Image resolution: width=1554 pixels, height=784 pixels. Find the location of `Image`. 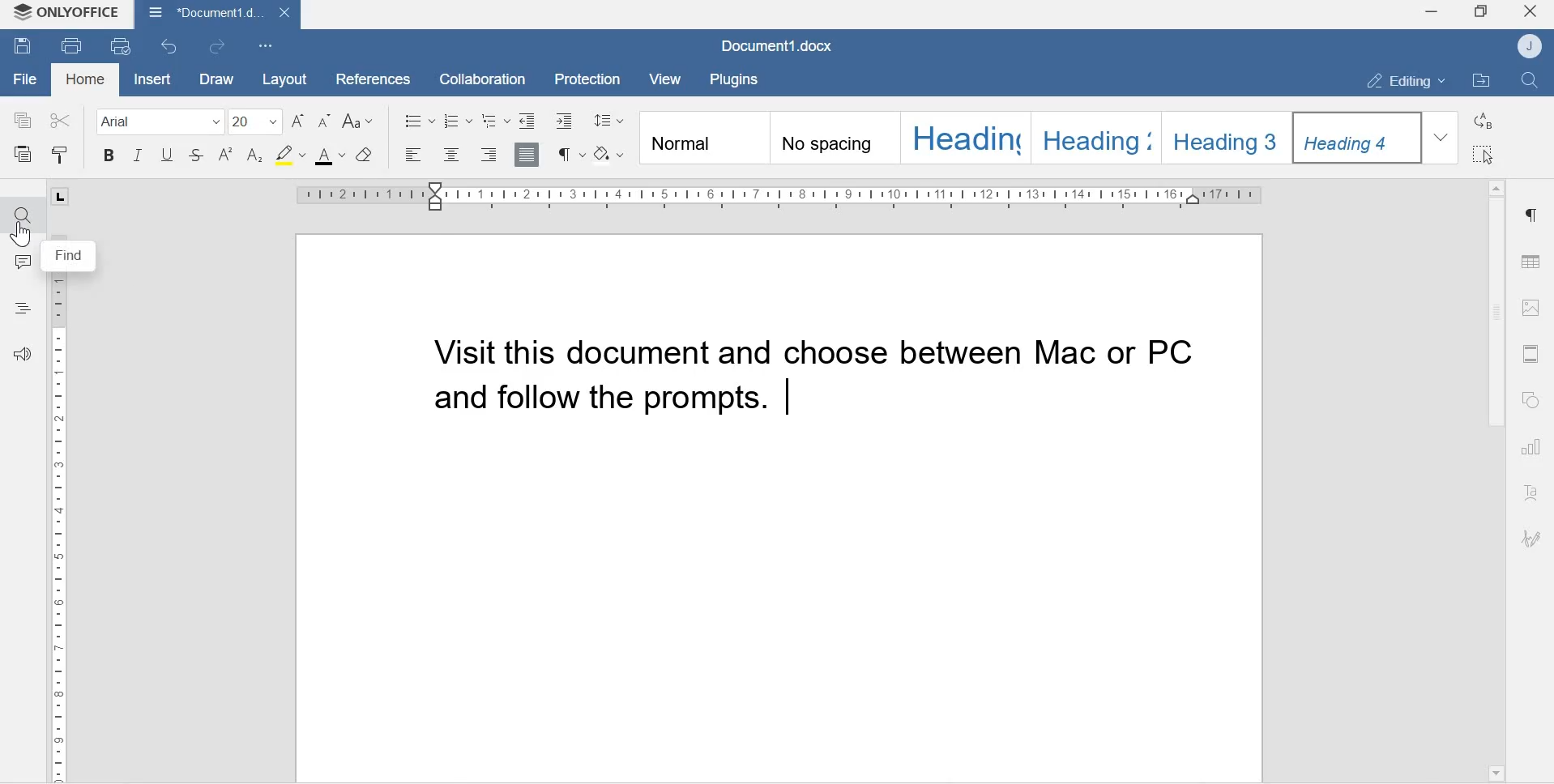

Image is located at coordinates (1531, 307).